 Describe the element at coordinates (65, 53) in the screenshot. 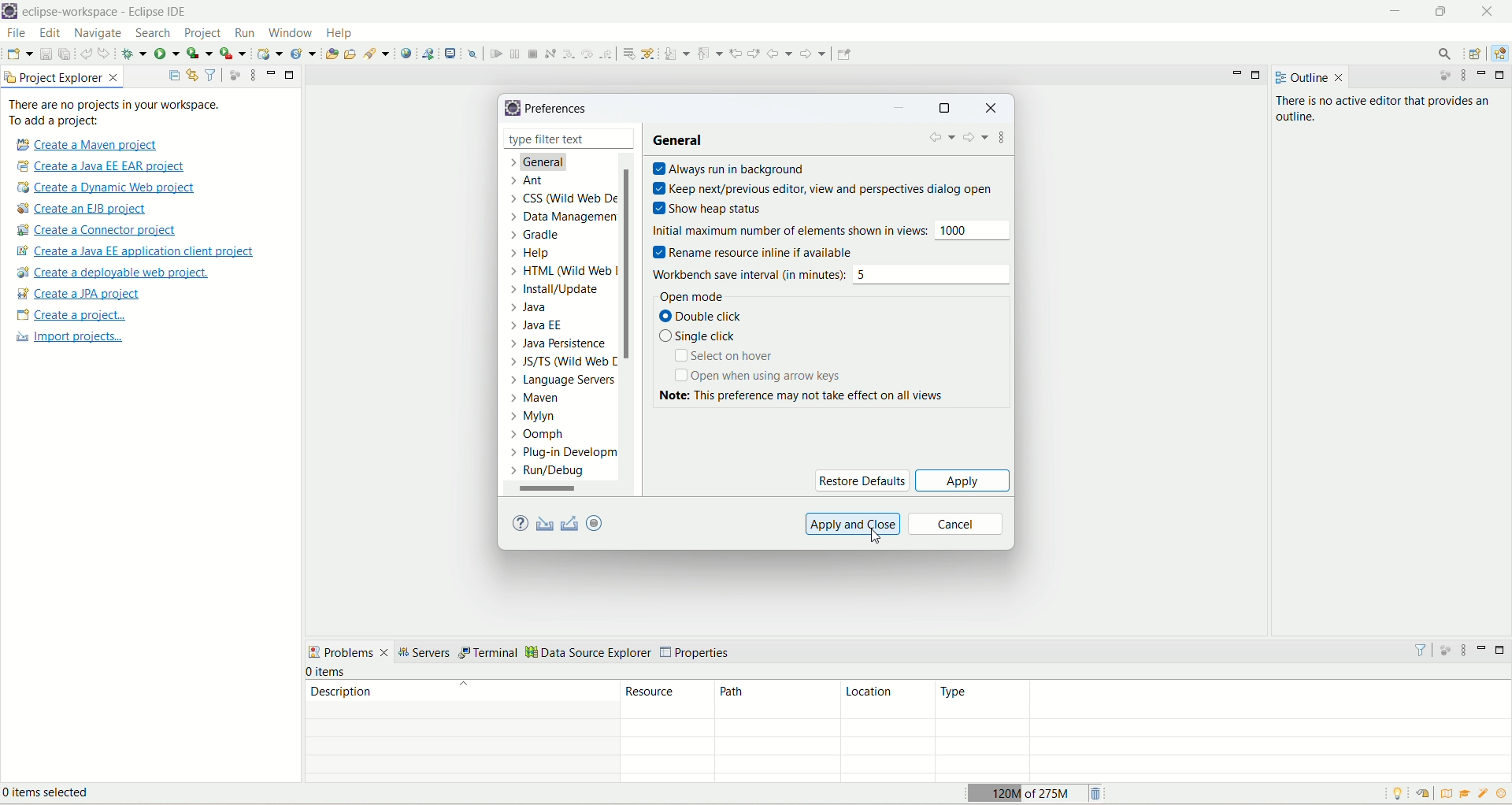

I see `save all` at that location.